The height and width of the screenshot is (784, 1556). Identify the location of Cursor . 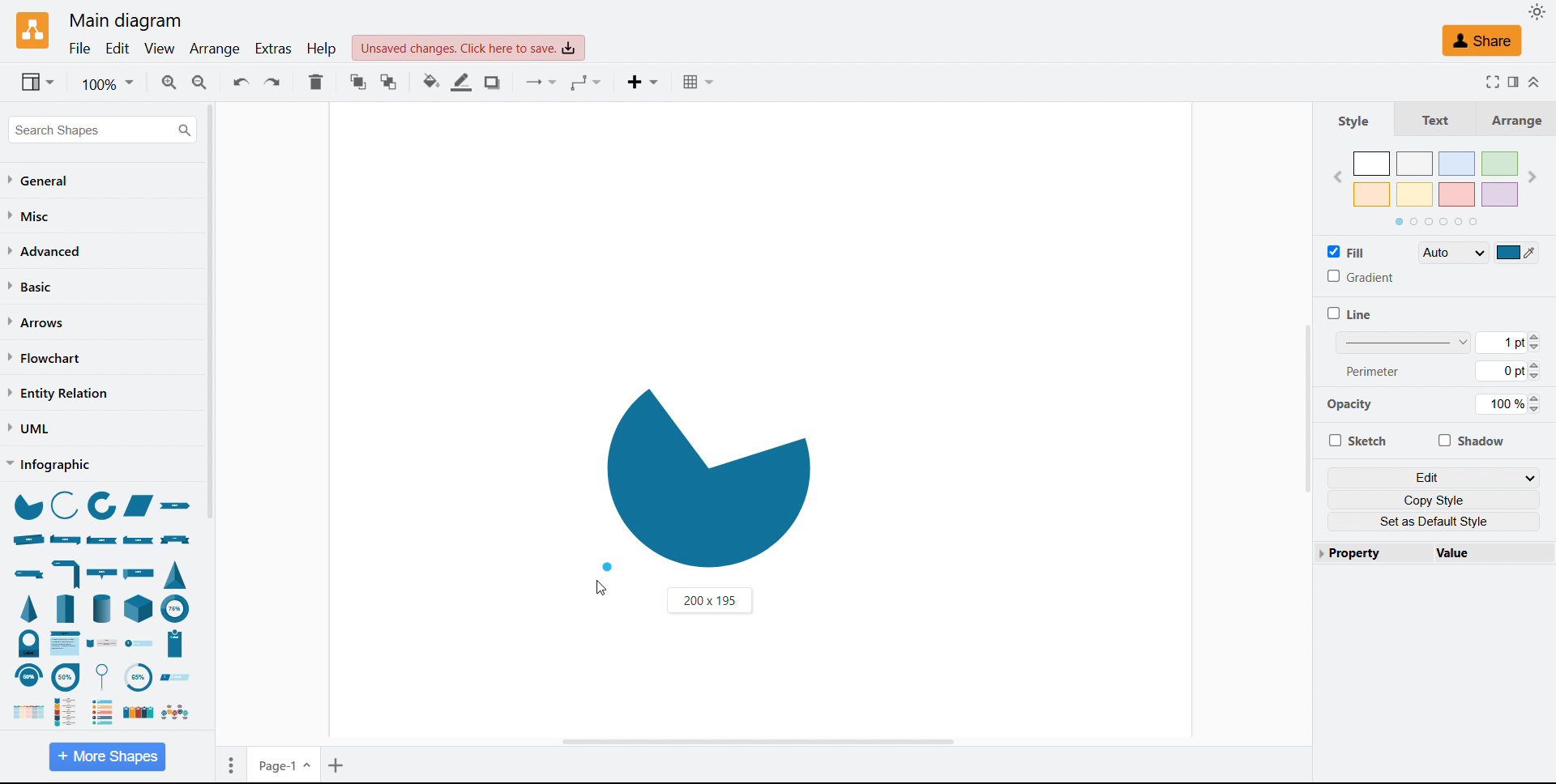
(601, 588).